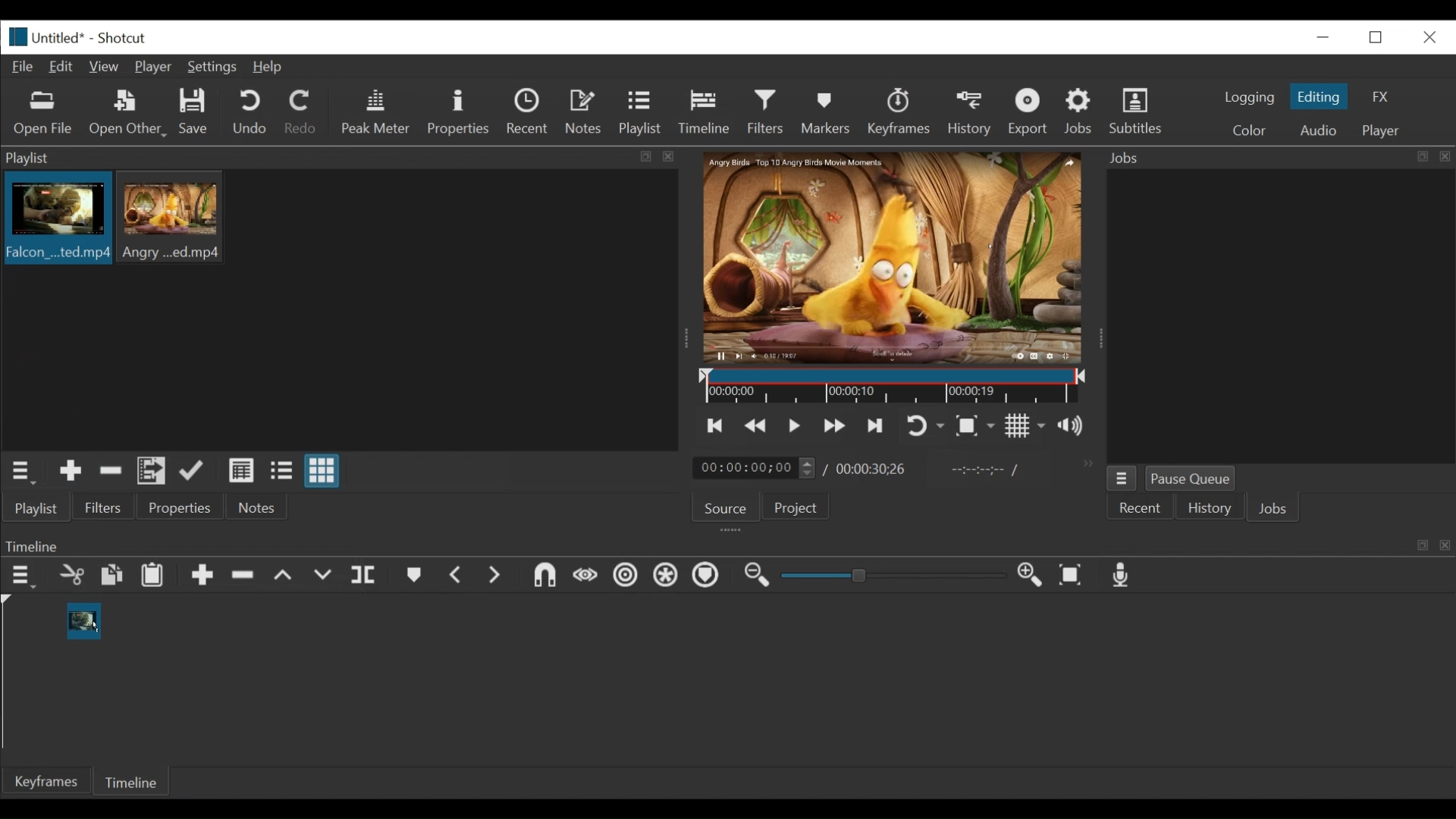 The width and height of the screenshot is (1456, 819). Describe the element at coordinates (900, 114) in the screenshot. I see `keyframes` at that location.